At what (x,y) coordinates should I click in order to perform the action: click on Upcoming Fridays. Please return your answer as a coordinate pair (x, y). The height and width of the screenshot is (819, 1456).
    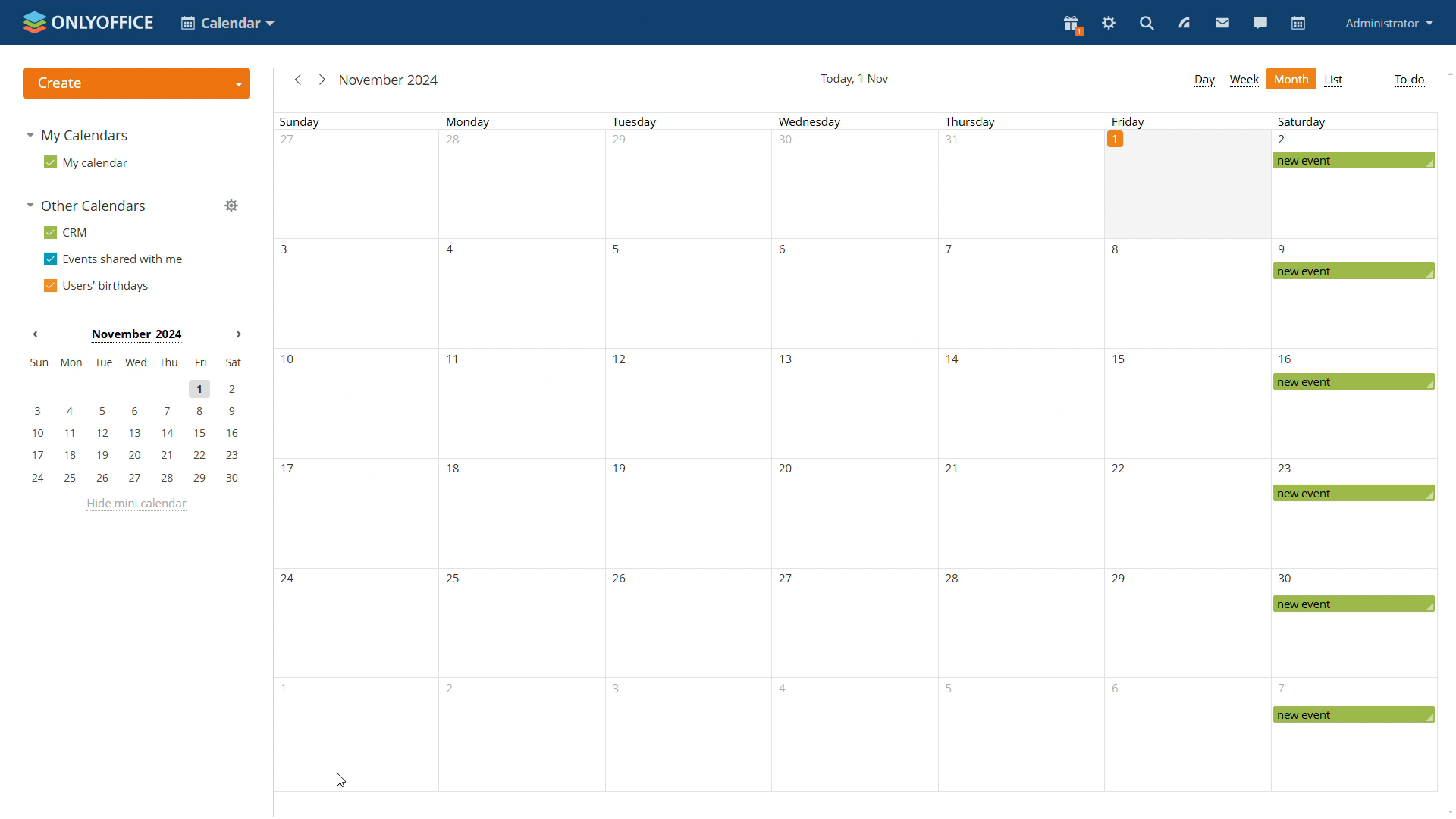
    Looking at the image, I should click on (1187, 515).